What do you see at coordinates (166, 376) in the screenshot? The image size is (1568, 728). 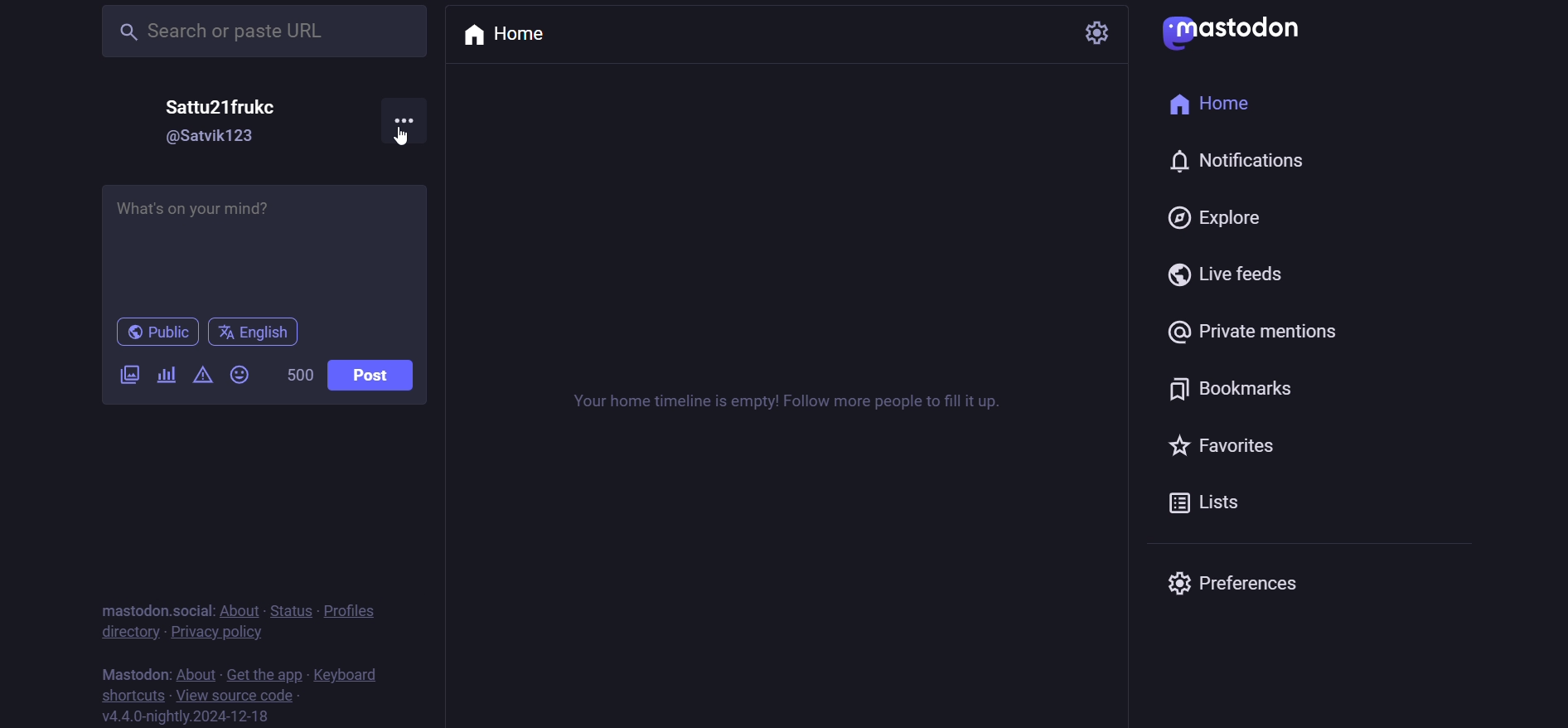 I see `poll` at bounding box center [166, 376].